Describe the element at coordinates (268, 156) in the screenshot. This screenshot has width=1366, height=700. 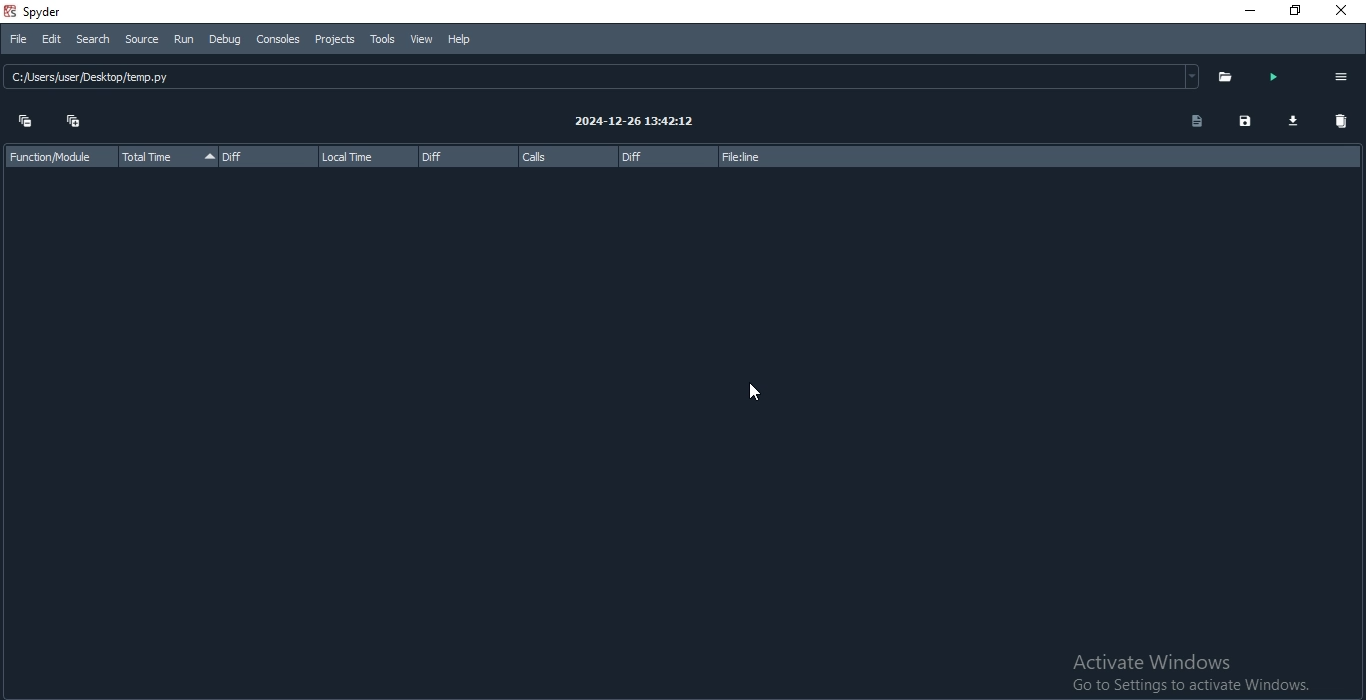
I see `diff` at that location.